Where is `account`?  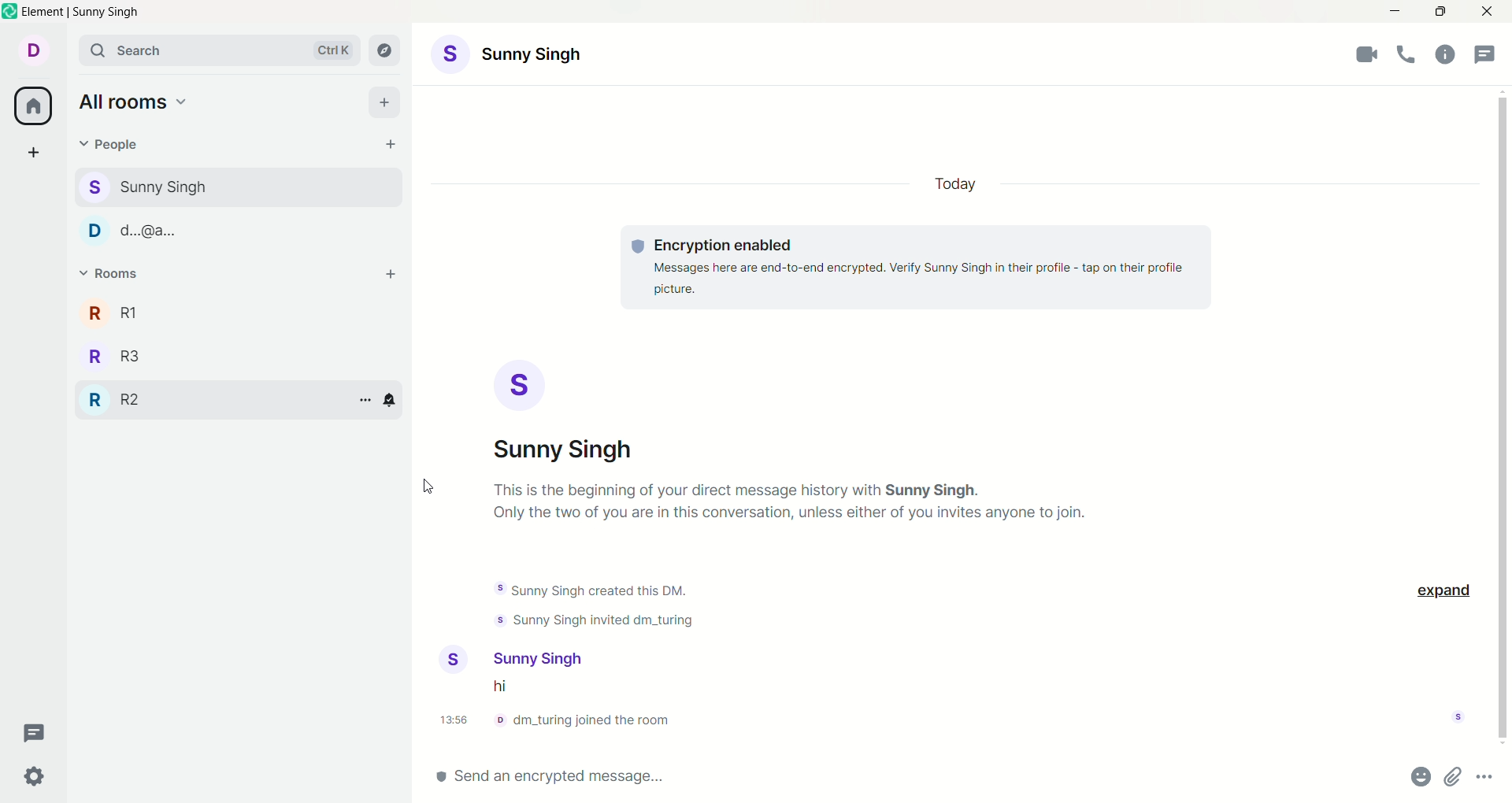
account is located at coordinates (37, 50).